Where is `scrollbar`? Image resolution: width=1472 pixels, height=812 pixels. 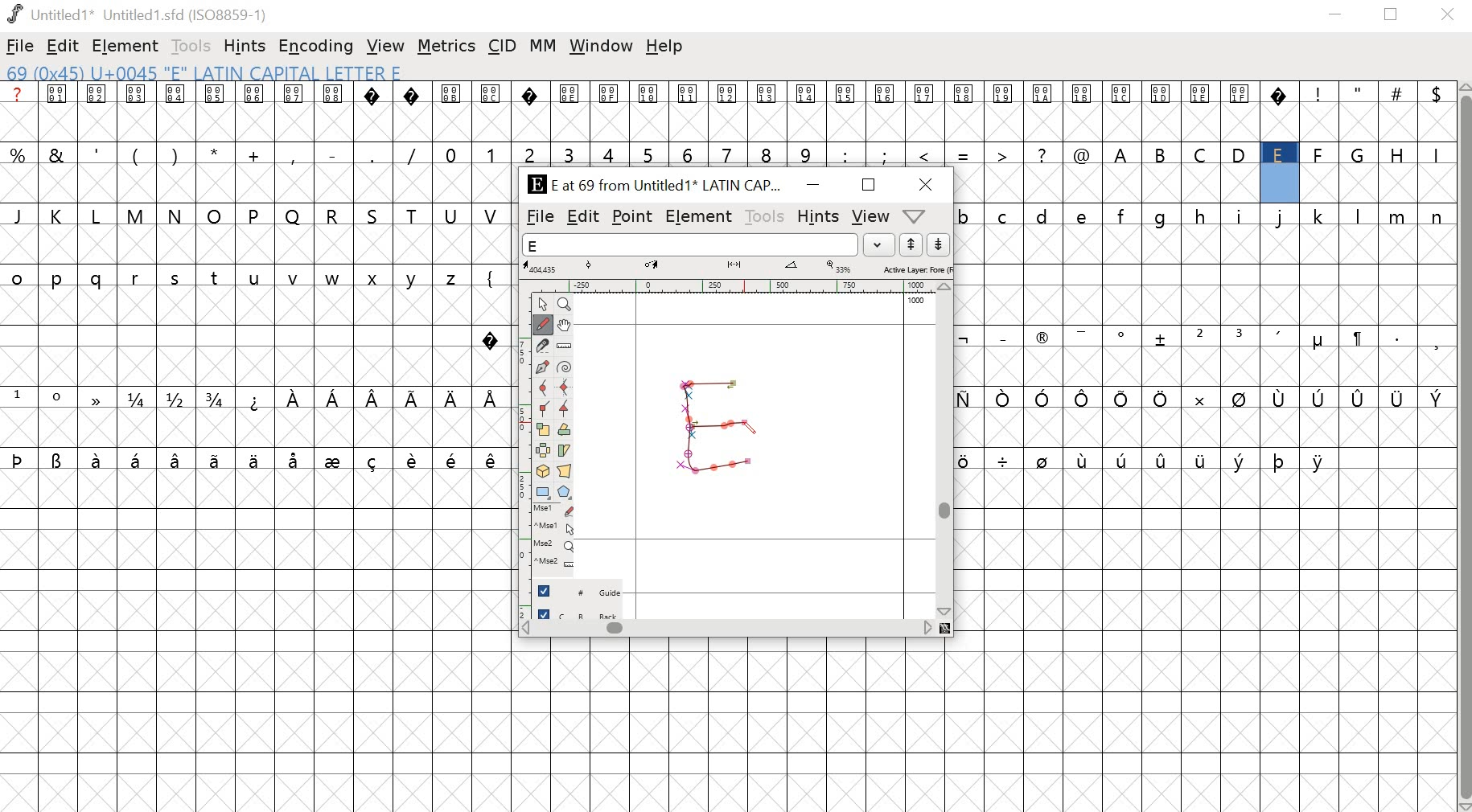
scrollbar is located at coordinates (734, 630).